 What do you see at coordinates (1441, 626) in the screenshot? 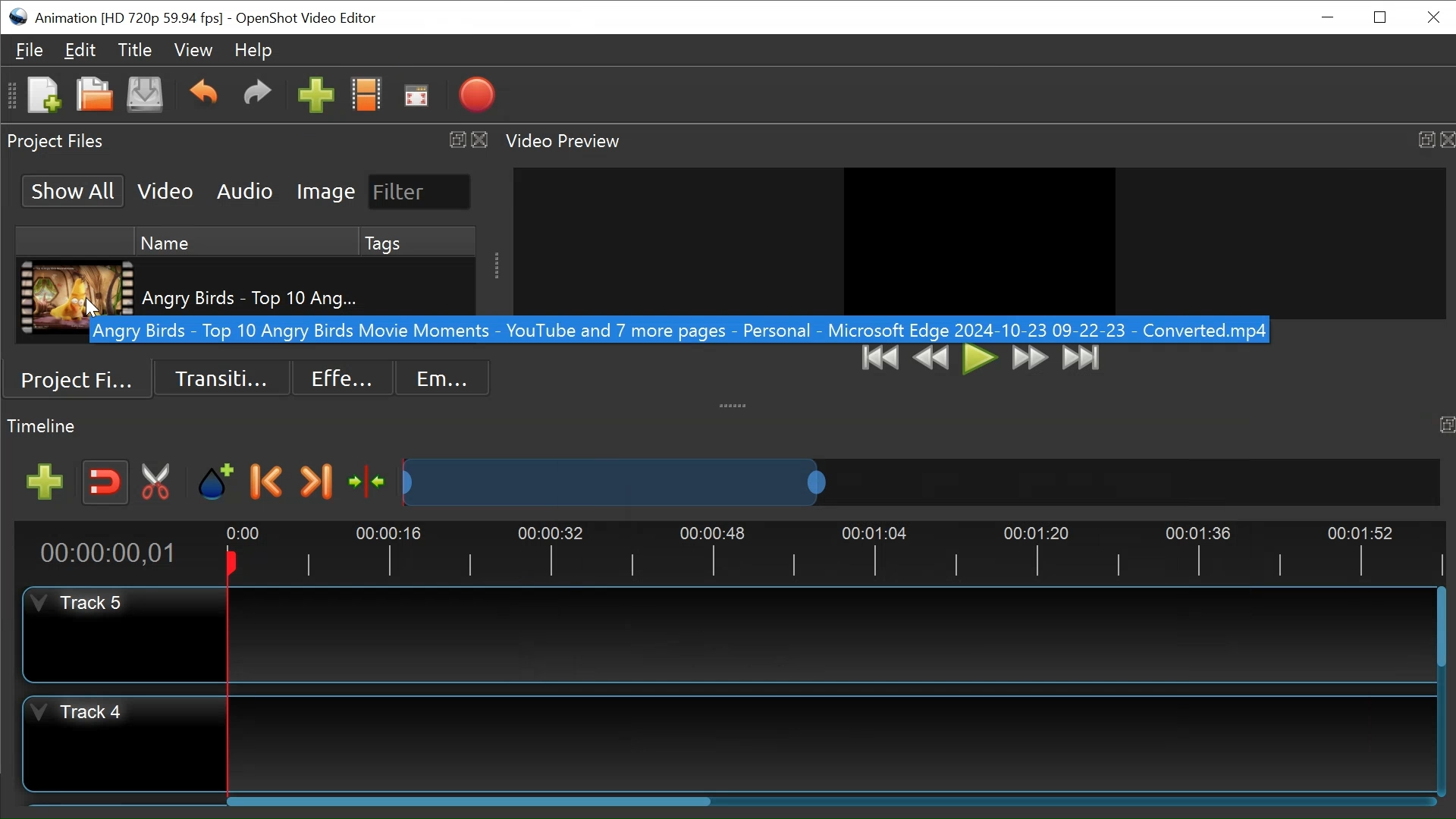
I see `Vertical Scroll bar` at bounding box center [1441, 626].